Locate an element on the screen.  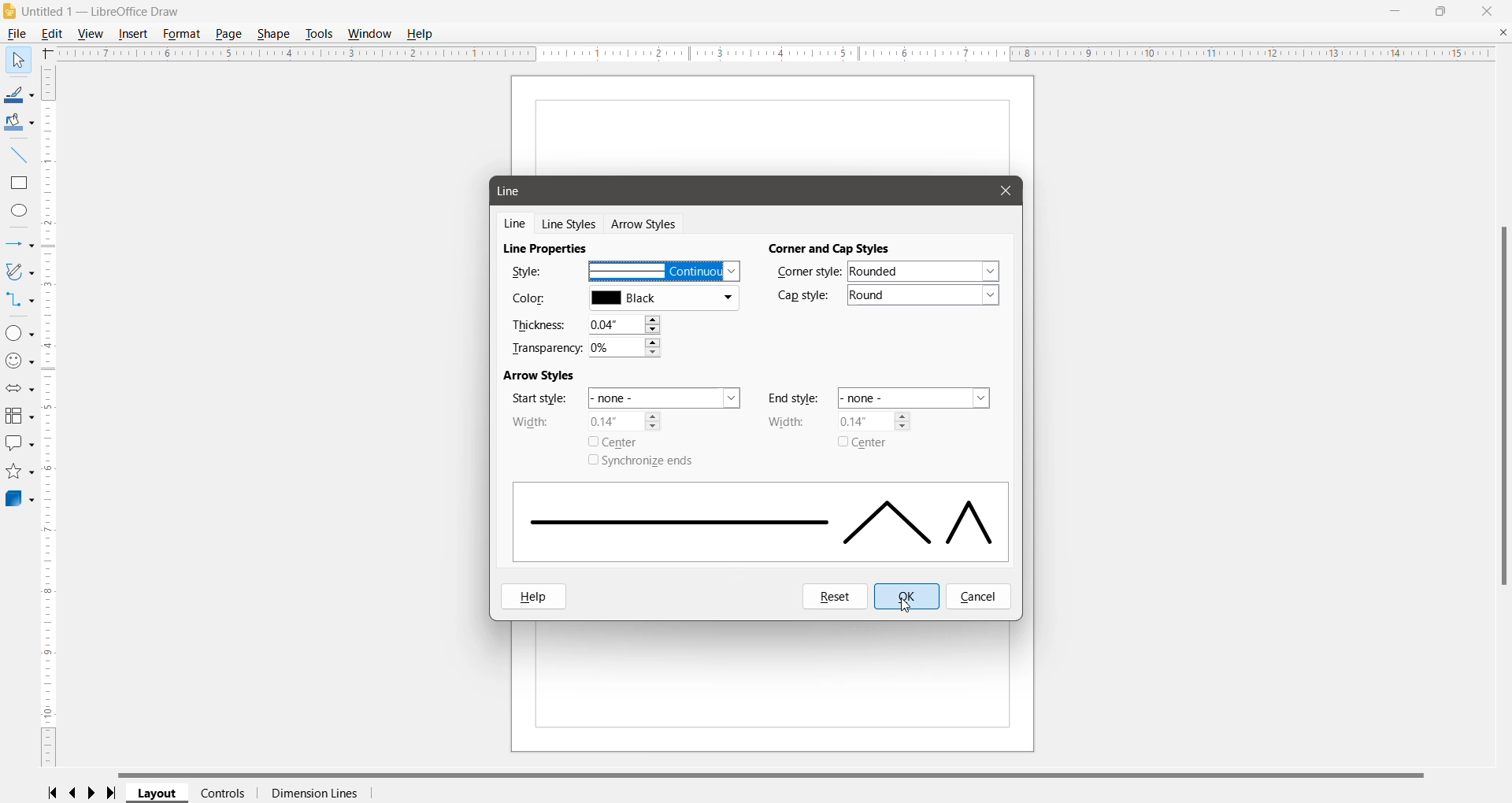
Help is located at coordinates (421, 33).